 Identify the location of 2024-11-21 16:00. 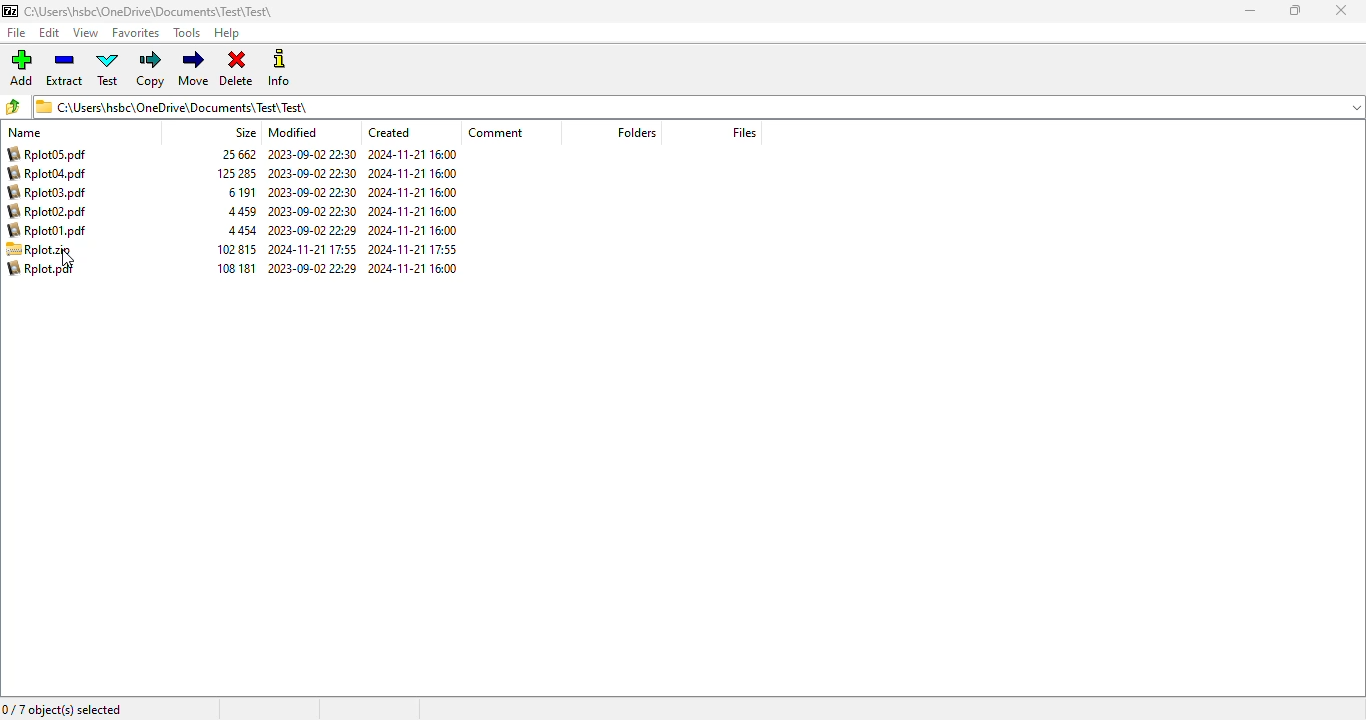
(413, 192).